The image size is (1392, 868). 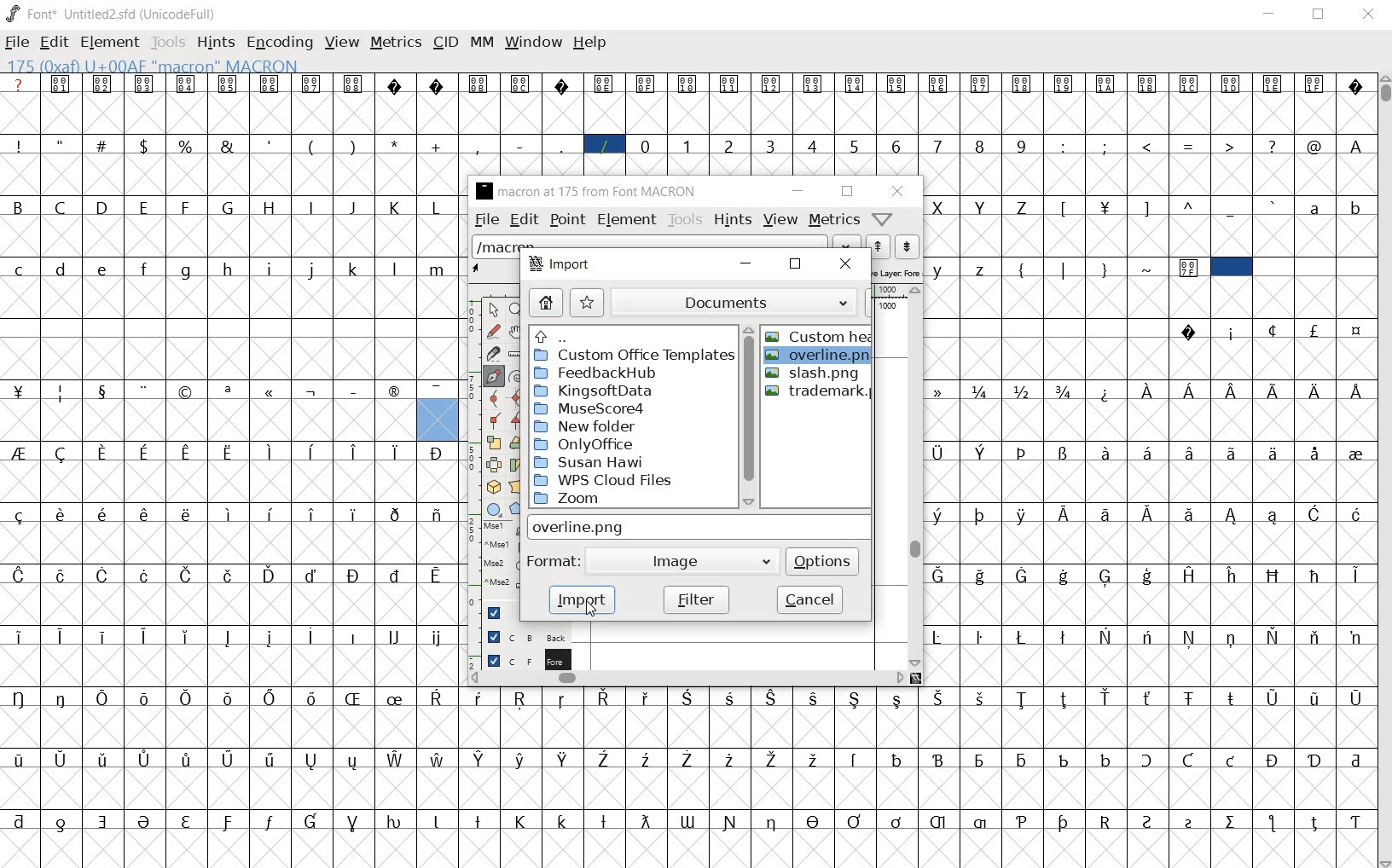 I want to click on Symbol, so click(x=354, y=575).